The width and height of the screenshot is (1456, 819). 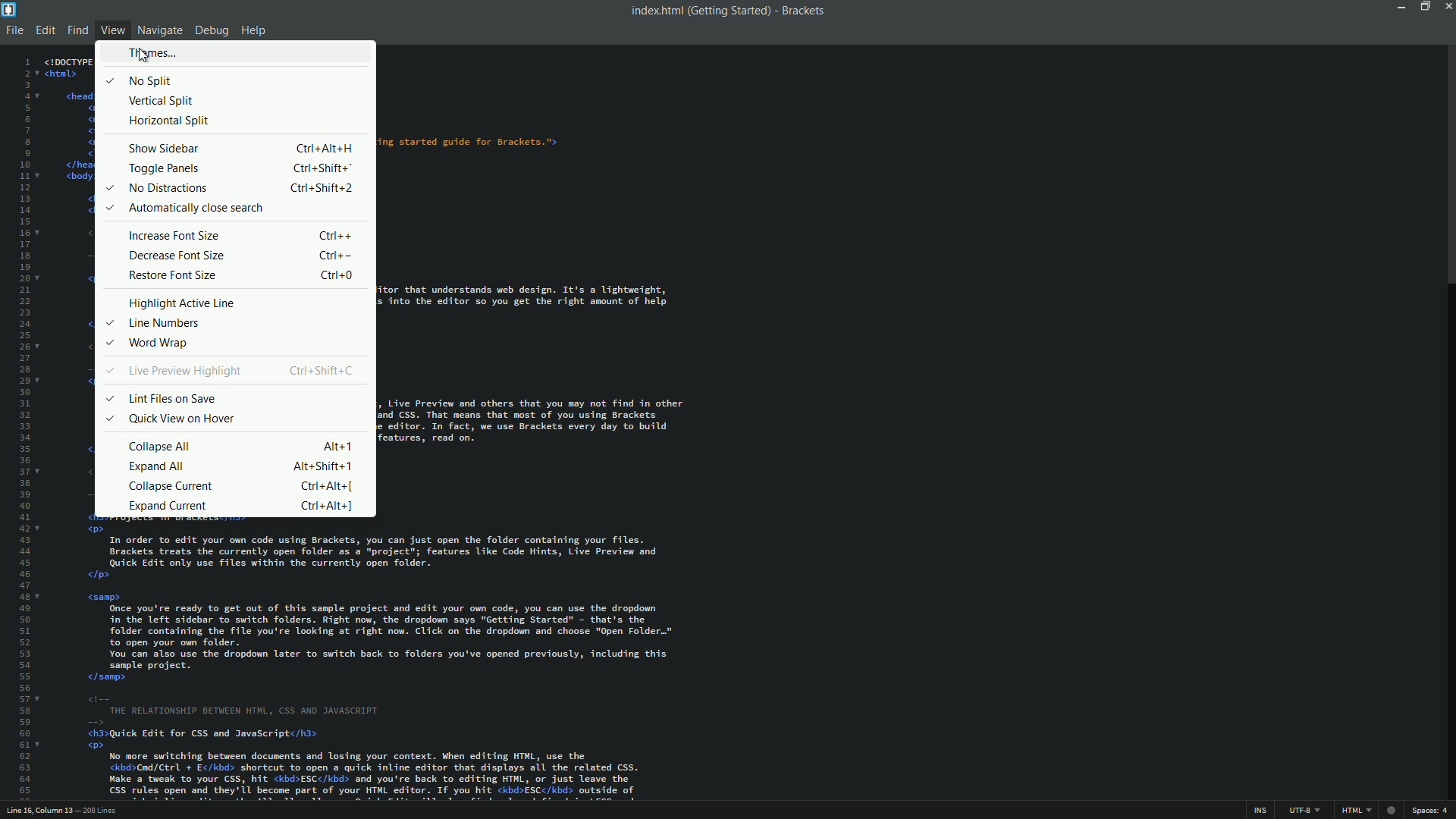 What do you see at coordinates (166, 188) in the screenshot?
I see `no distractions` at bounding box center [166, 188].